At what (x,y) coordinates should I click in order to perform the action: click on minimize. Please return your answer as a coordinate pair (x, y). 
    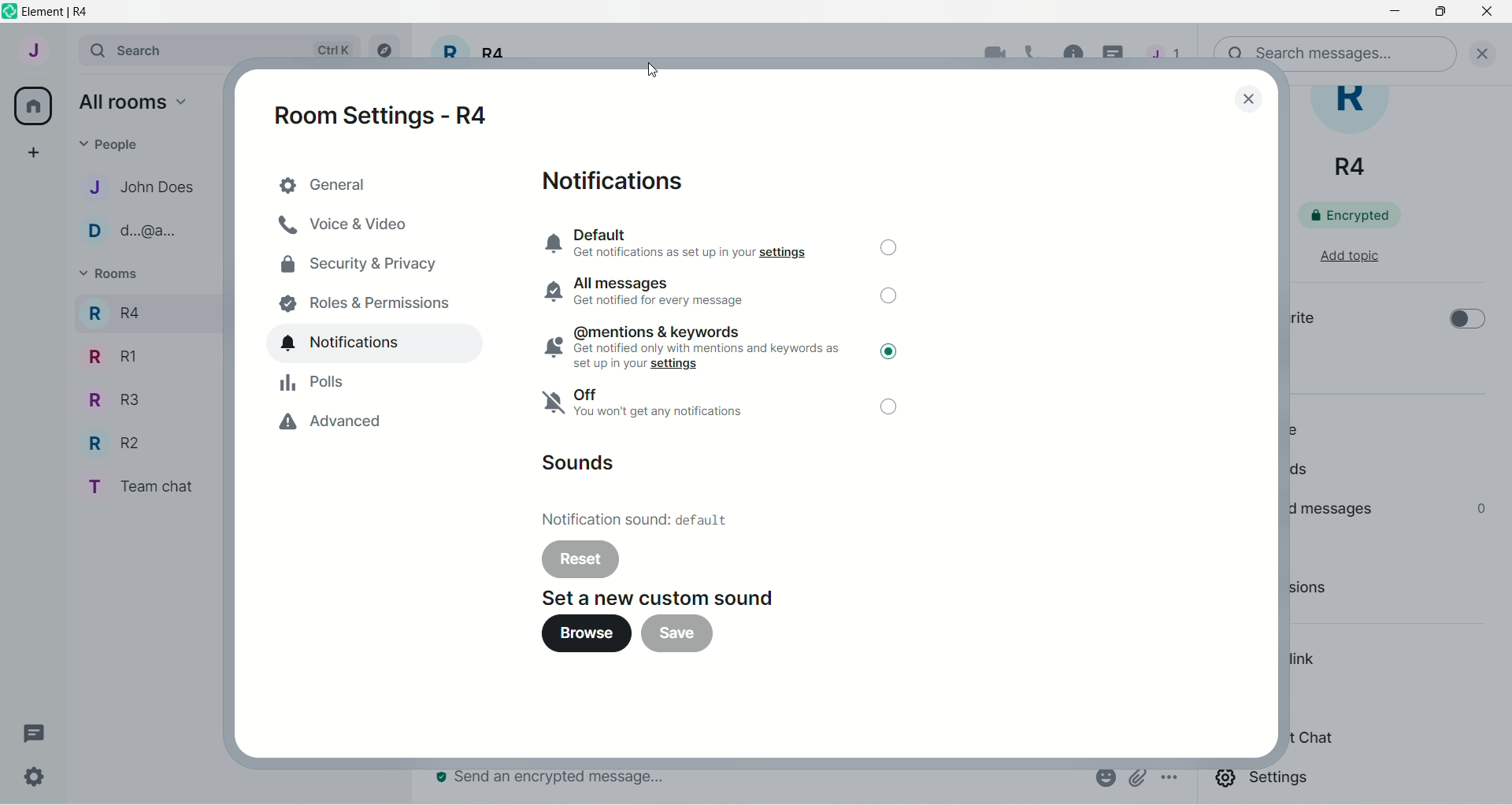
    Looking at the image, I should click on (1392, 13).